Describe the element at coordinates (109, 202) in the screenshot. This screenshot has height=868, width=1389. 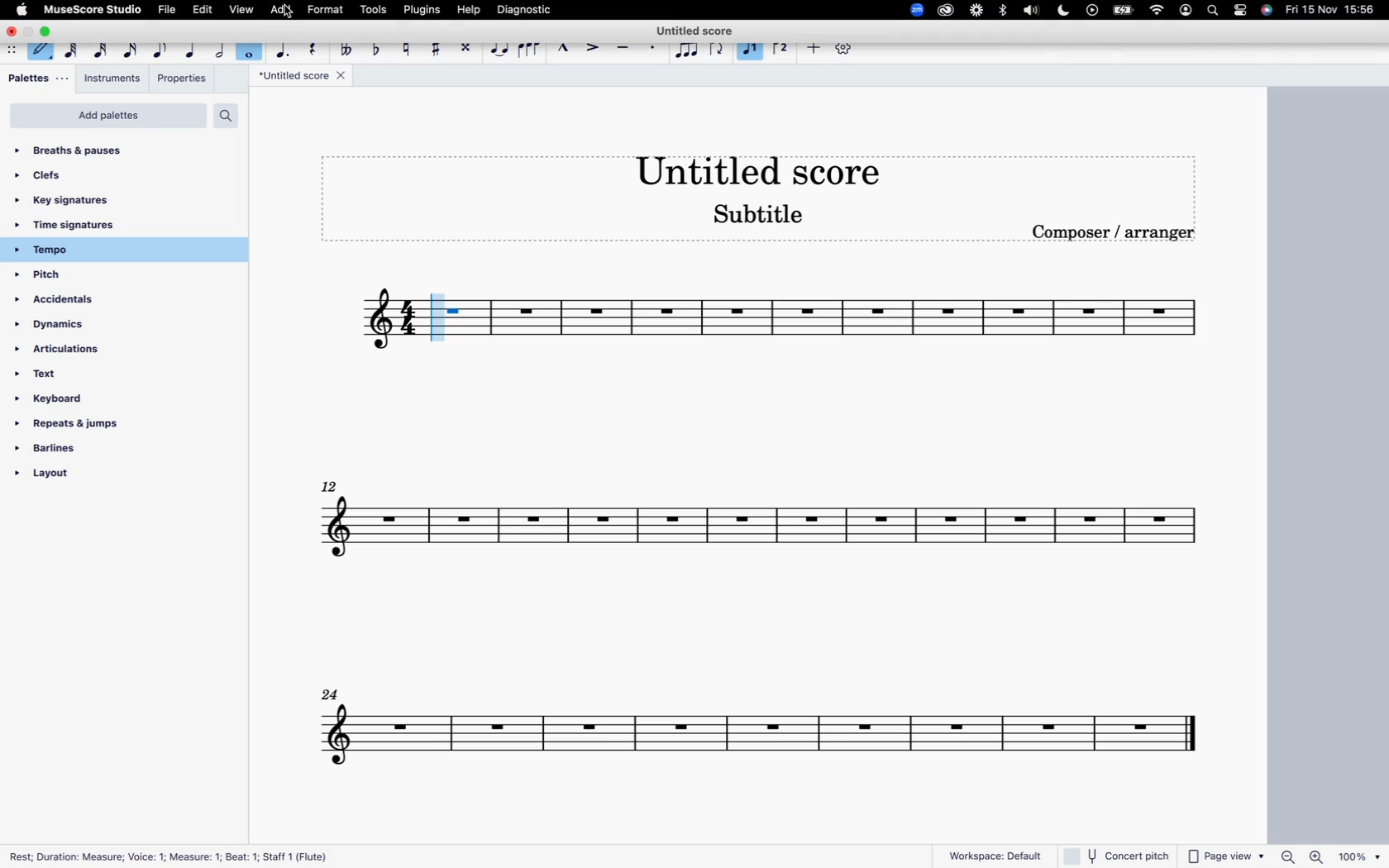
I see `key signatures` at that location.